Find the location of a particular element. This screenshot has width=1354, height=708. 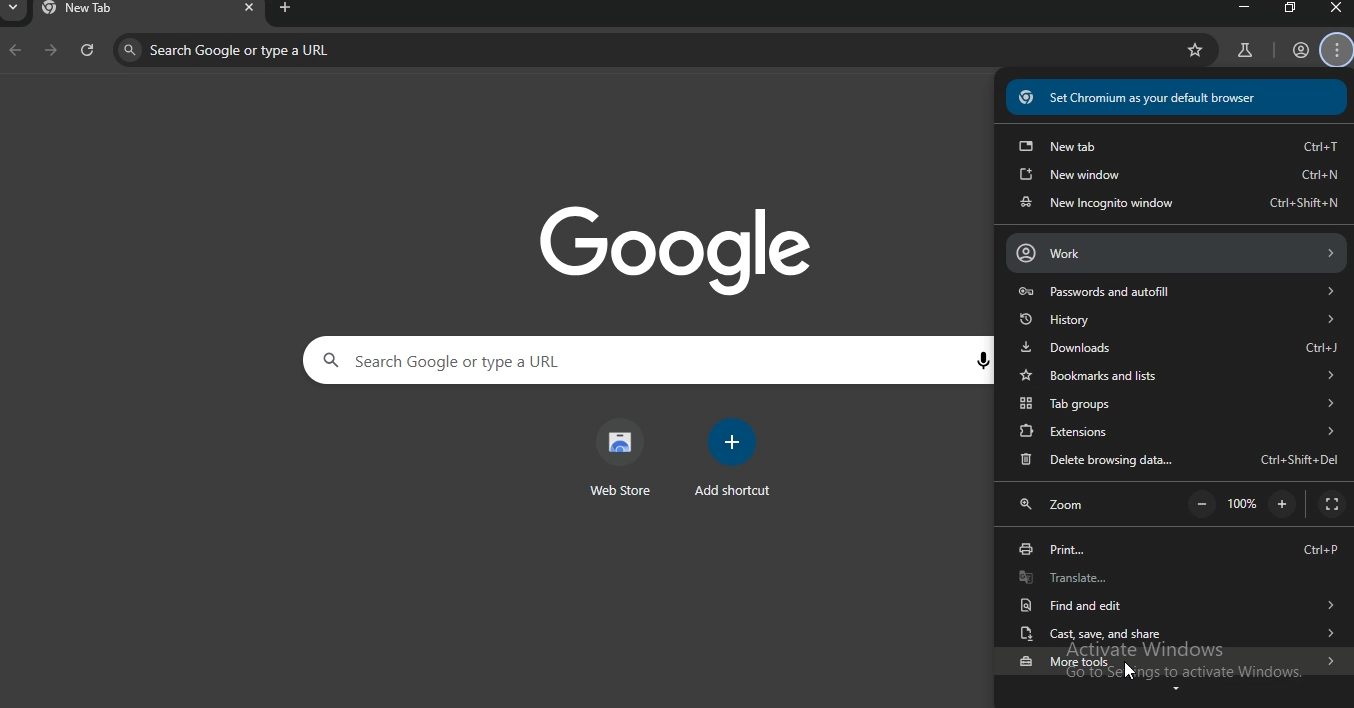

history is located at coordinates (1174, 321).